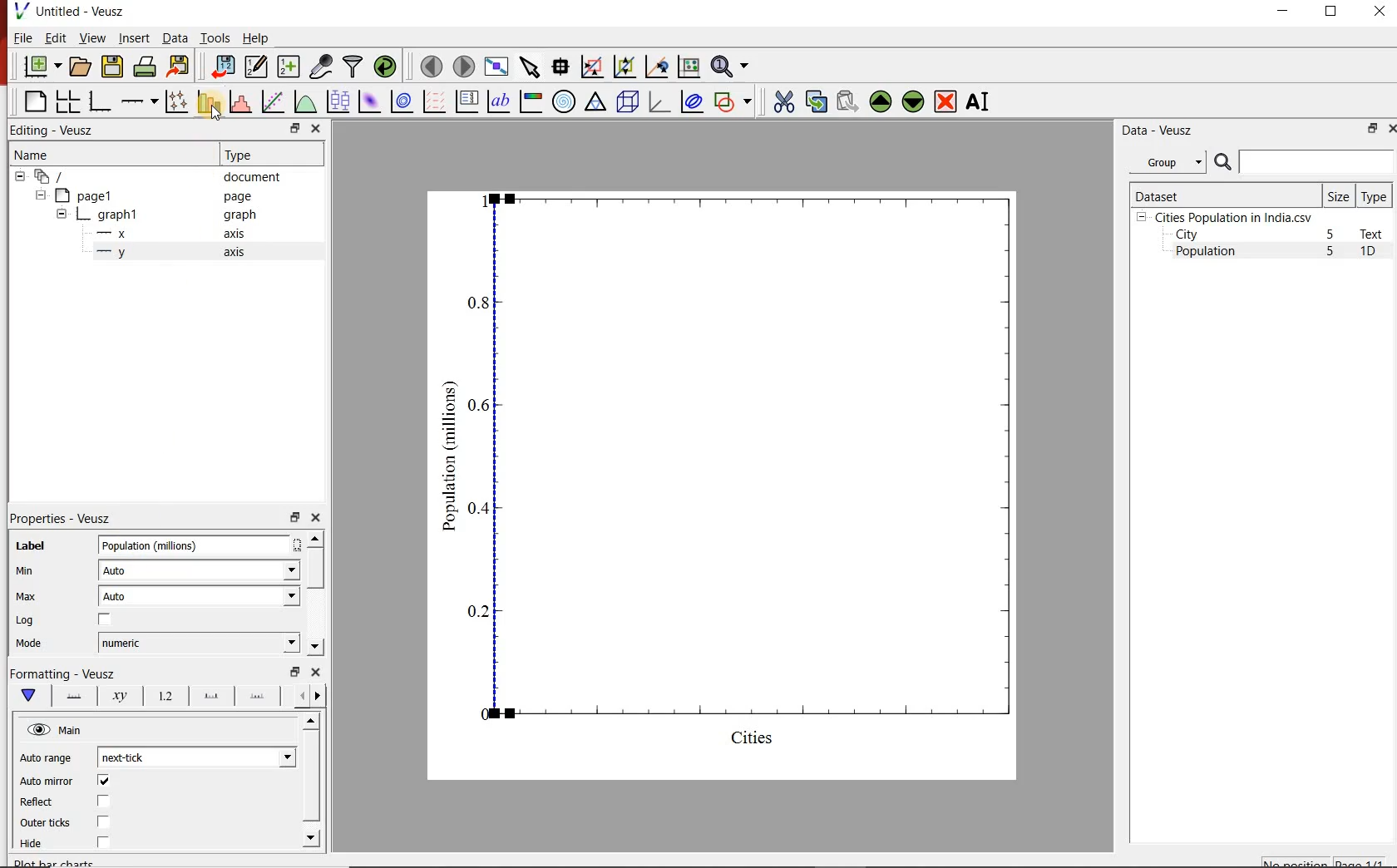 The image size is (1397, 868). What do you see at coordinates (42, 801) in the screenshot?
I see `Reflect` at bounding box center [42, 801].